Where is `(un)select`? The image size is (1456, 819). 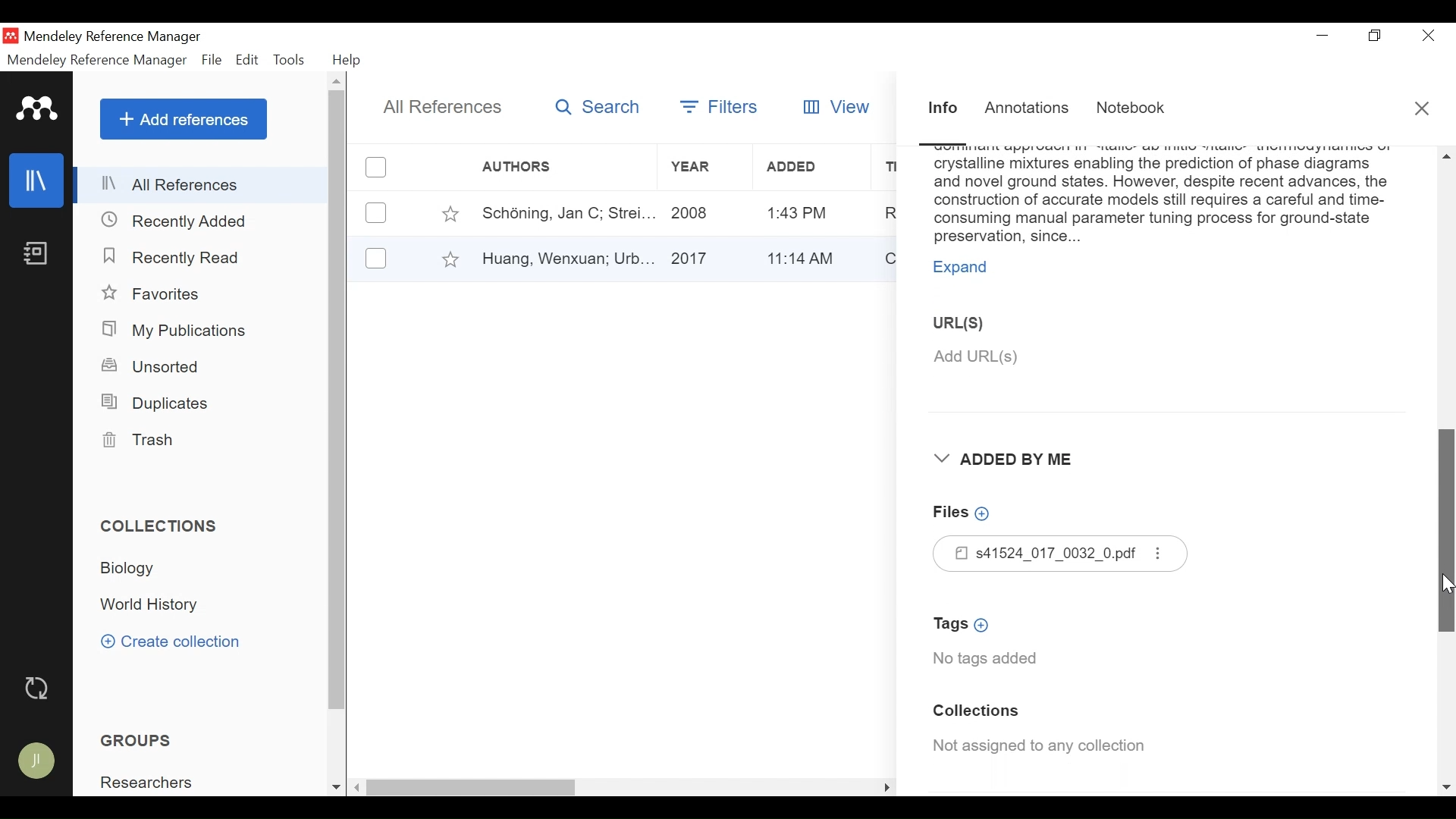 (un)select is located at coordinates (376, 213).